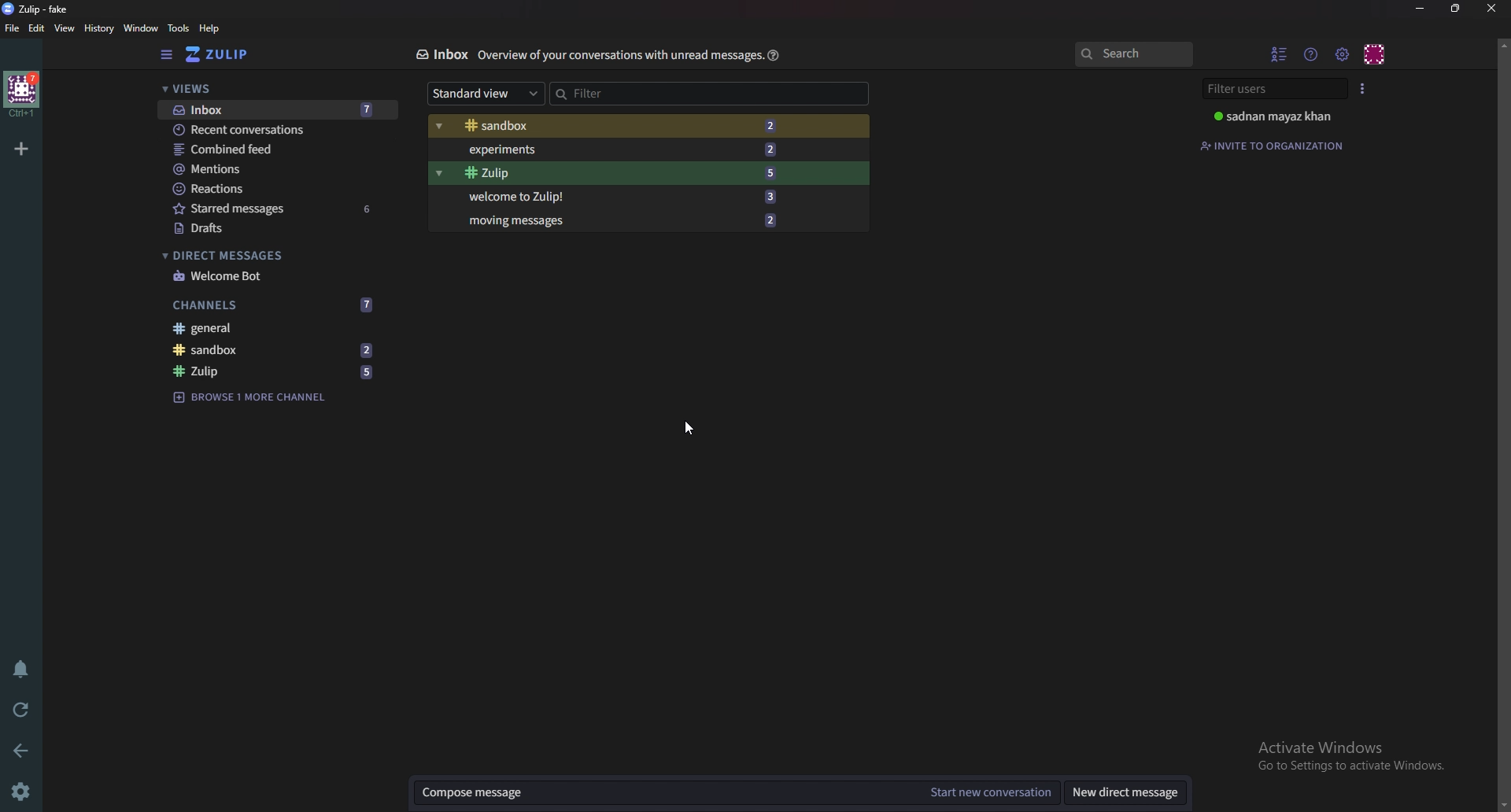  I want to click on personal menu, so click(1376, 54).